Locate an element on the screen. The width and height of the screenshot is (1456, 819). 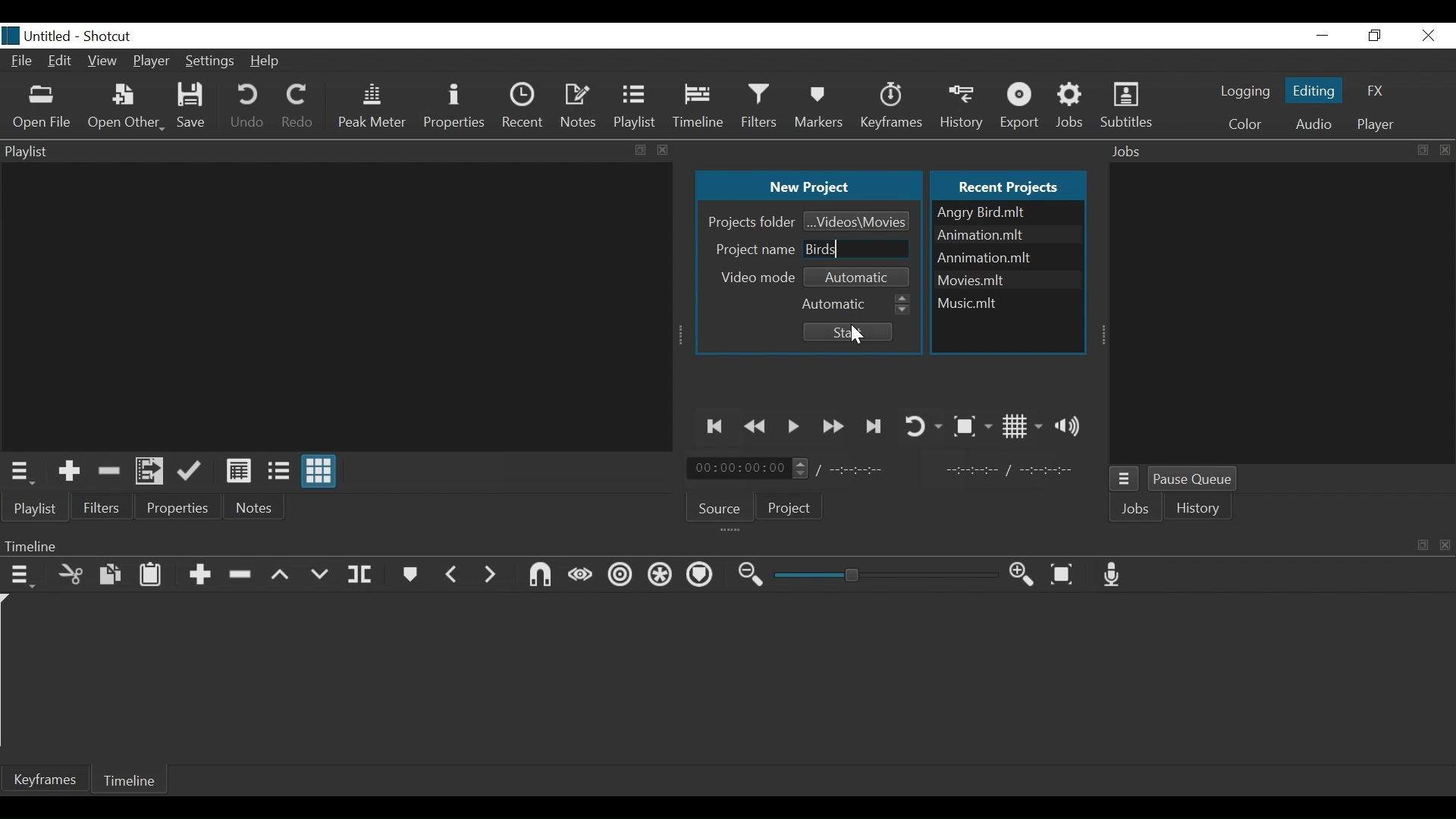
Timeline is located at coordinates (700, 106).